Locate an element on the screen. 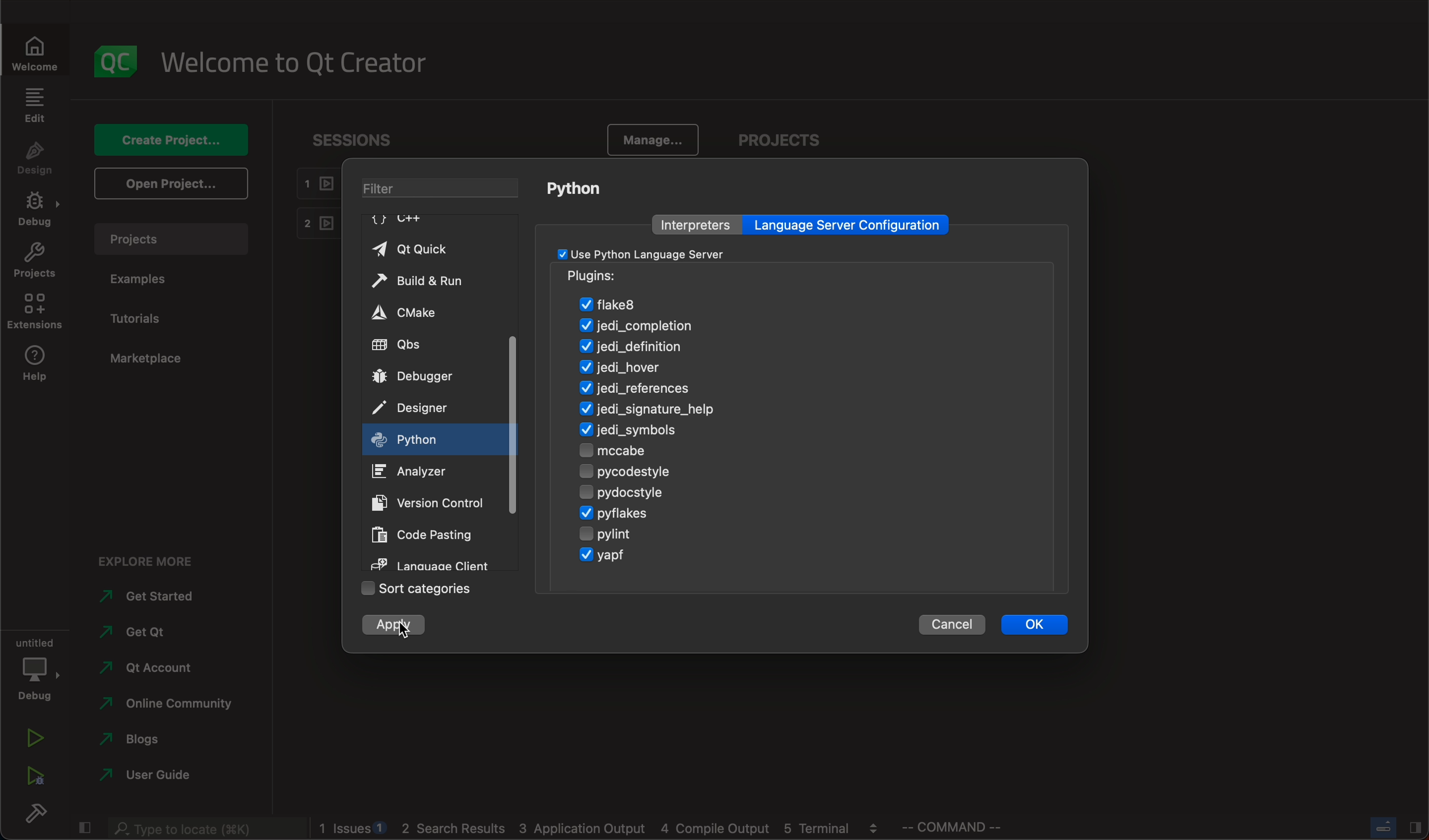  close slide bar is located at coordinates (84, 827).